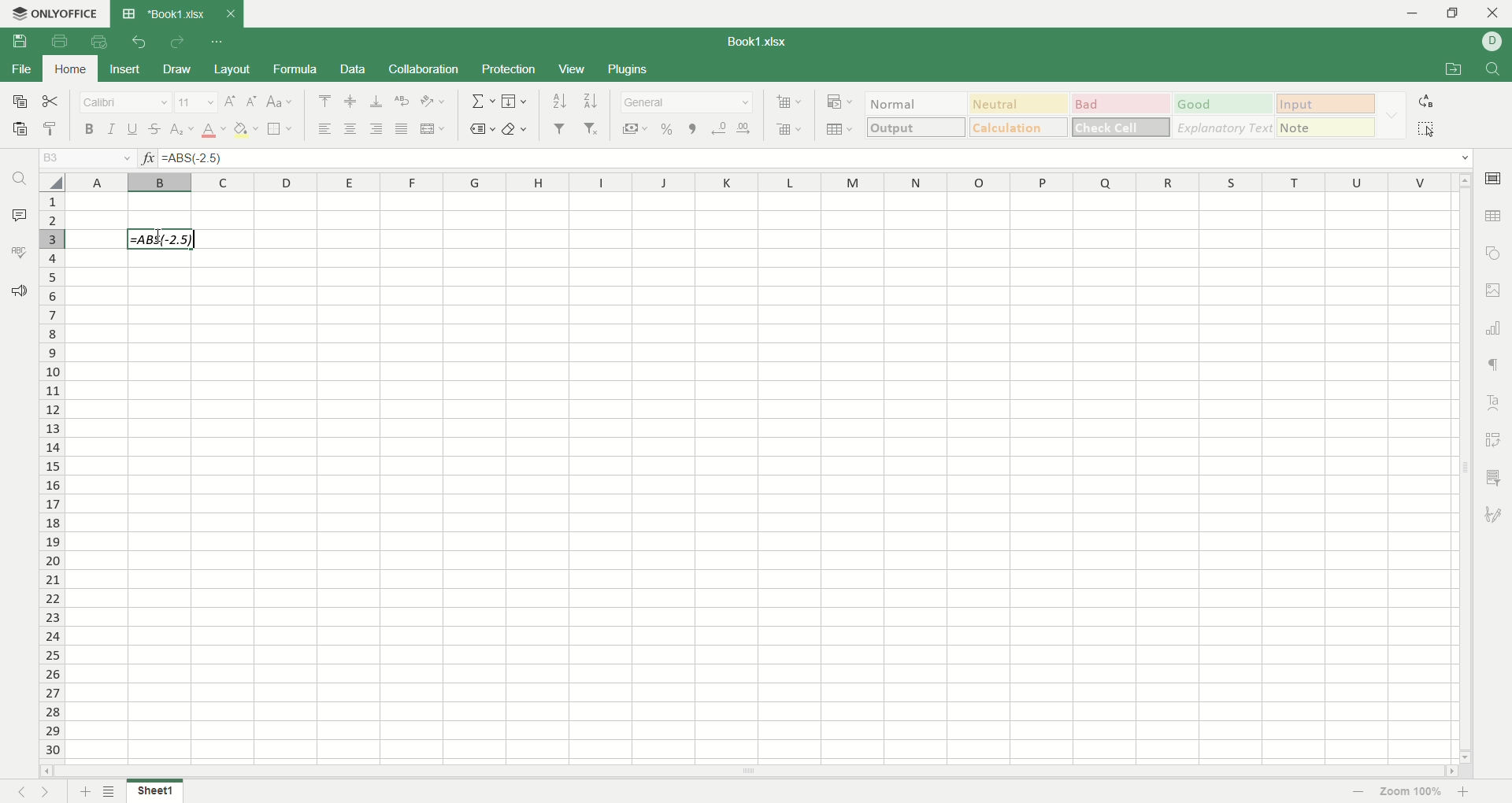 The height and width of the screenshot is (803, 1512). I want to click on sort ascending, so click(561, 101).